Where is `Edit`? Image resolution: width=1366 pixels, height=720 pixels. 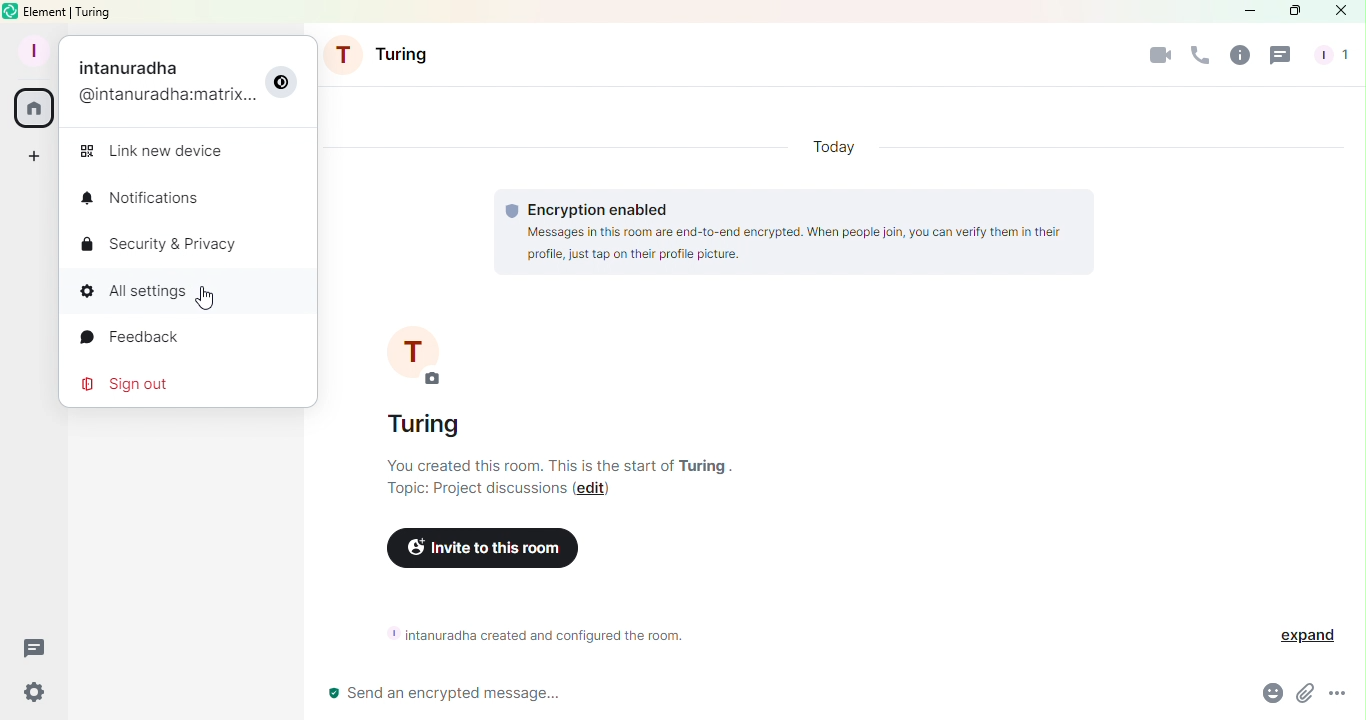
Edit is located at coordinates (602, 488).